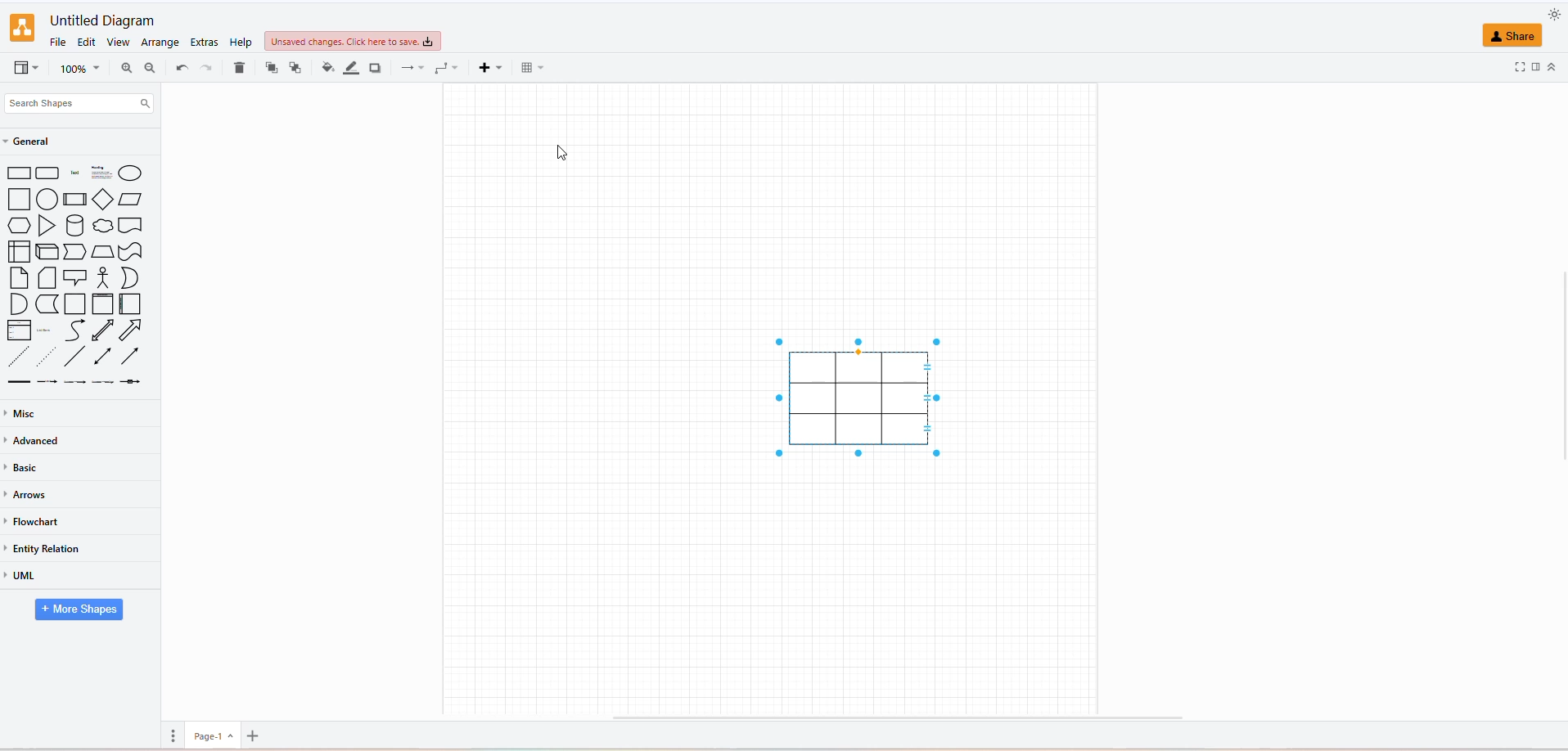  I want to click on appearance, so click(1553, 13).